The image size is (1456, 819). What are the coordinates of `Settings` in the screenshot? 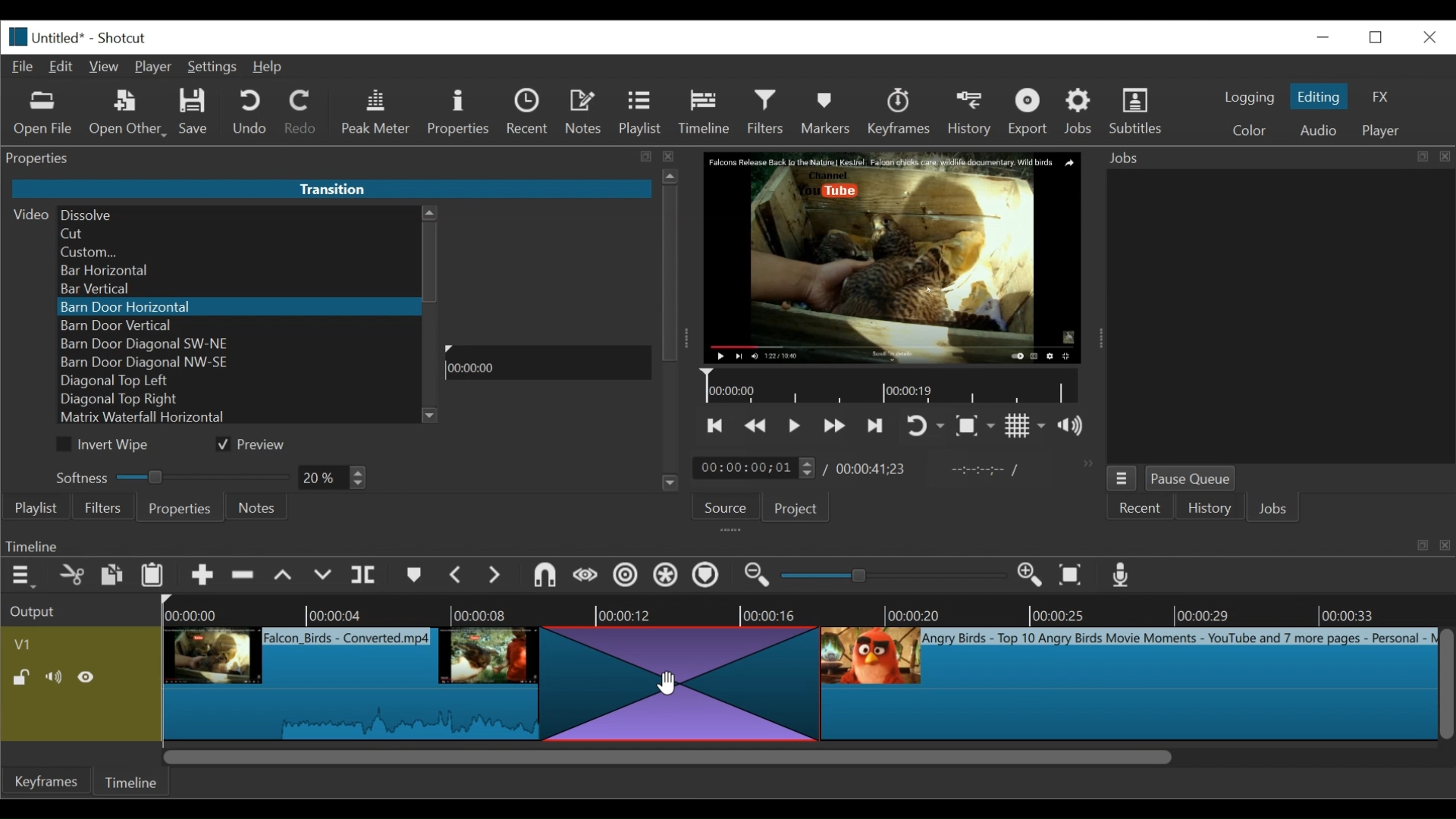 It's located at (212, 66).